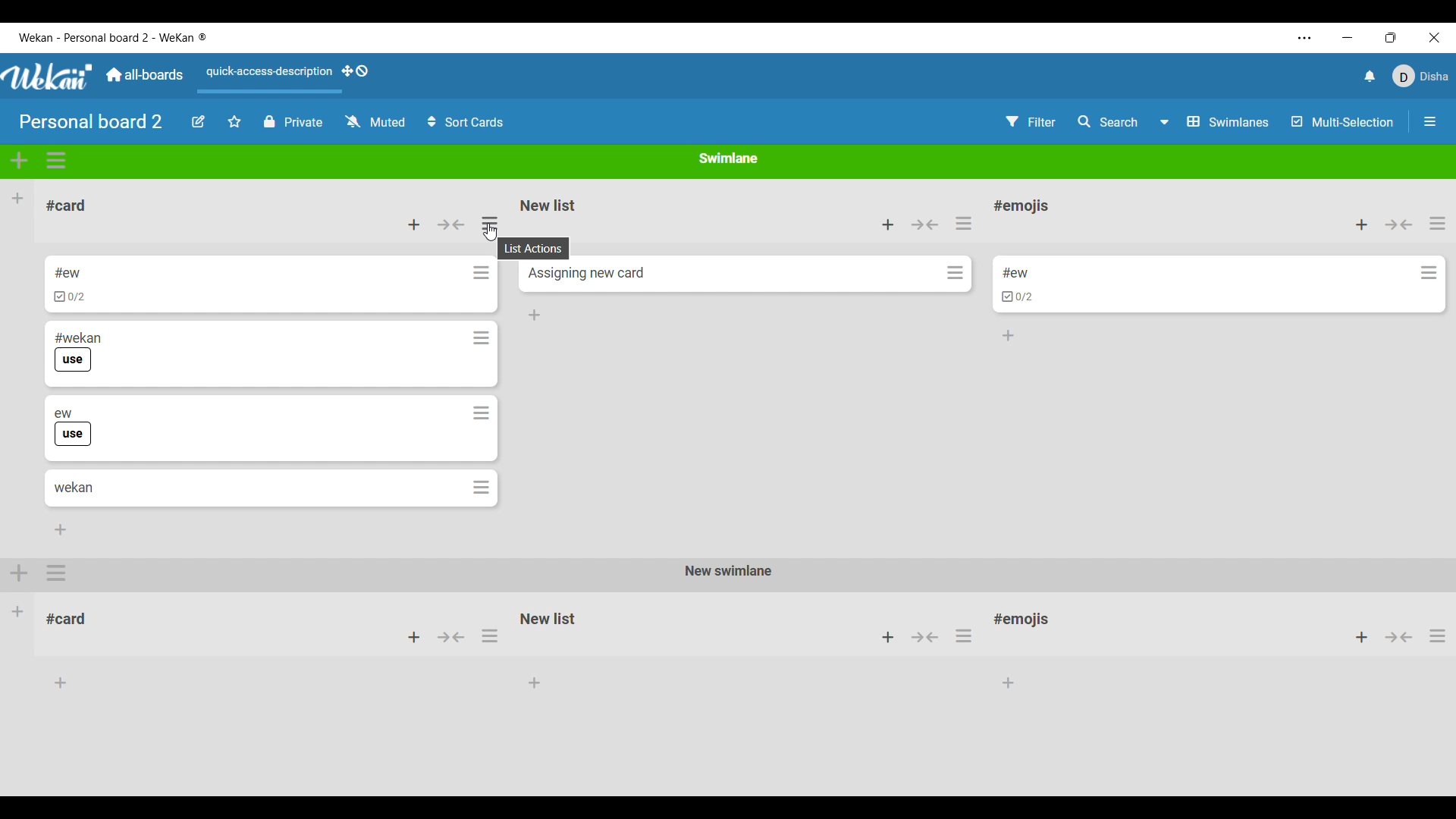  What do you see at coordinates (1108, 121) in the screenshot?
I see `Search` at bounding box center [1108, 121].